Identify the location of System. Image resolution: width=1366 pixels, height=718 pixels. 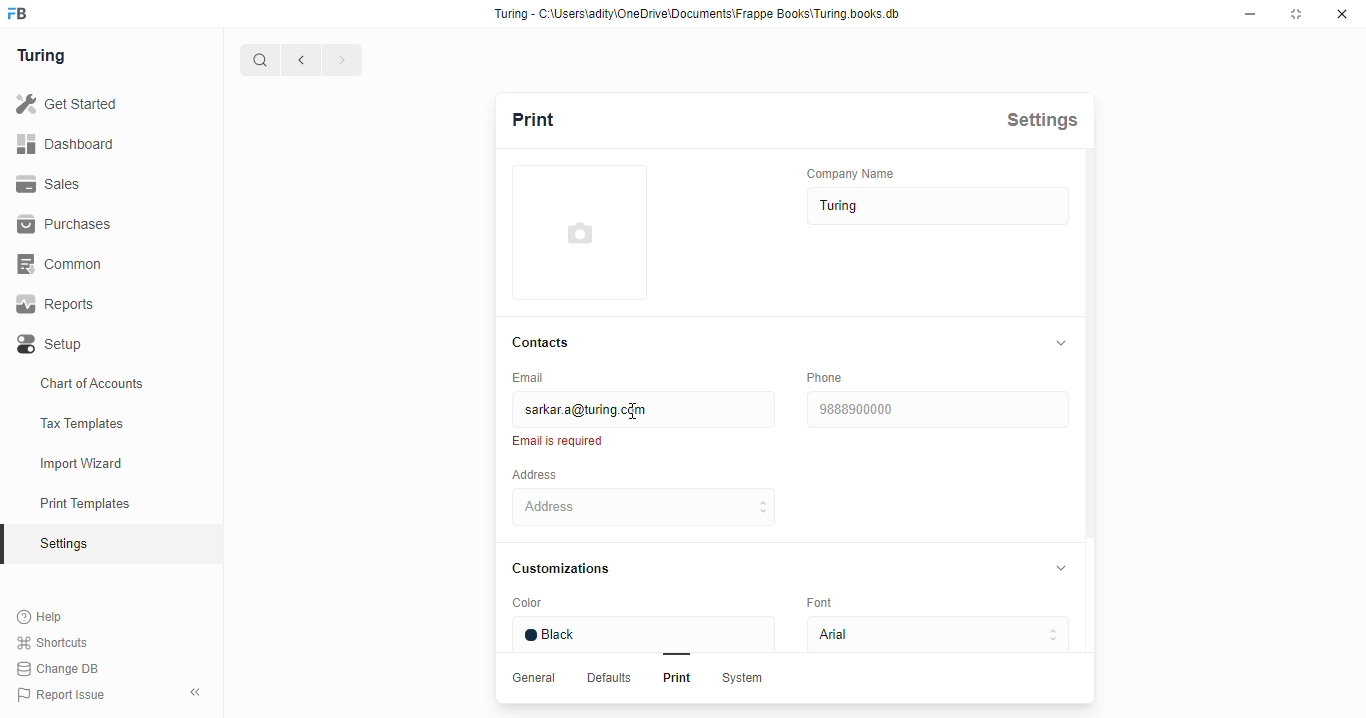
(745, 680).